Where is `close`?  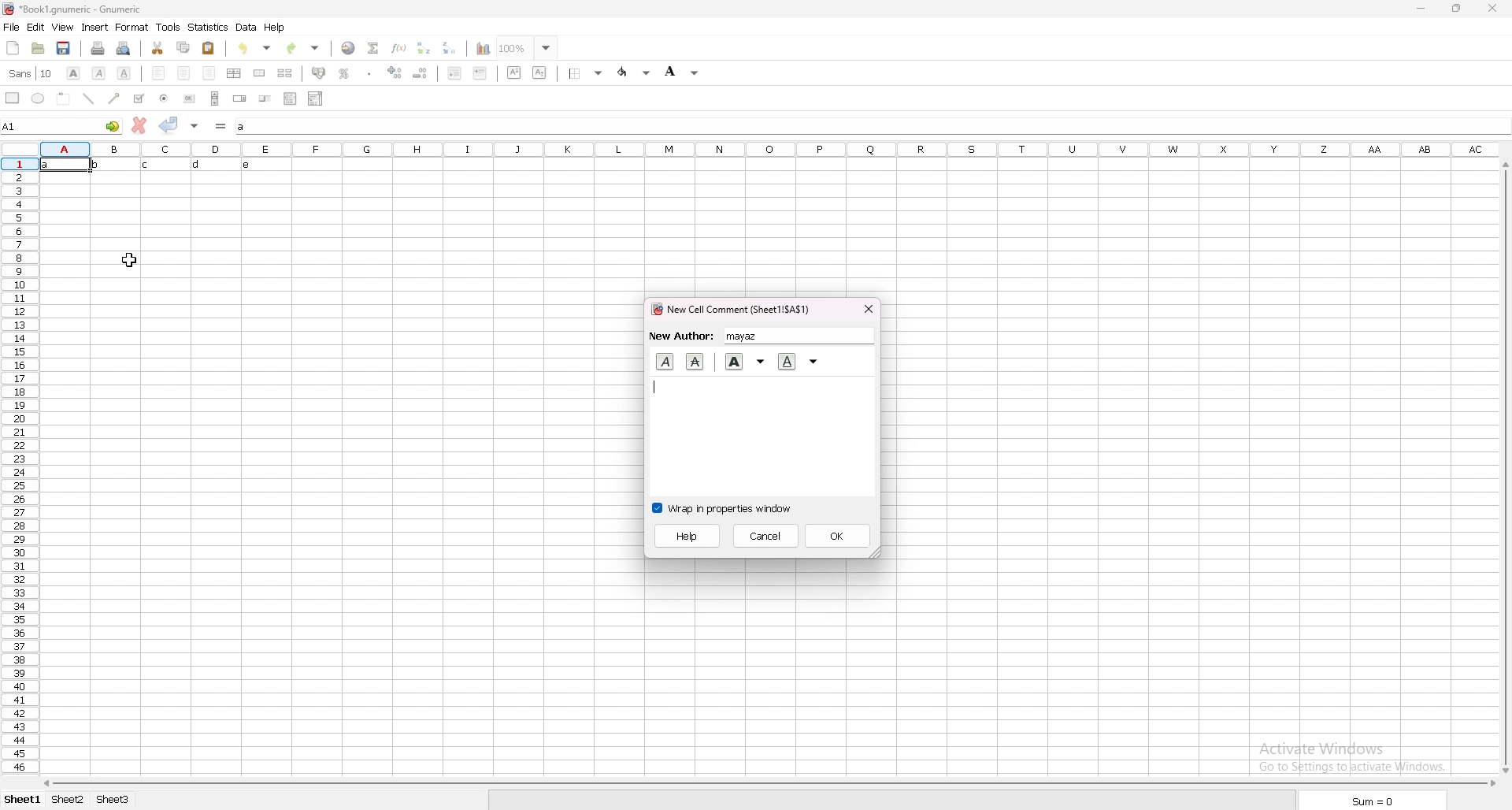
close is located at coordinates (1492, 8).